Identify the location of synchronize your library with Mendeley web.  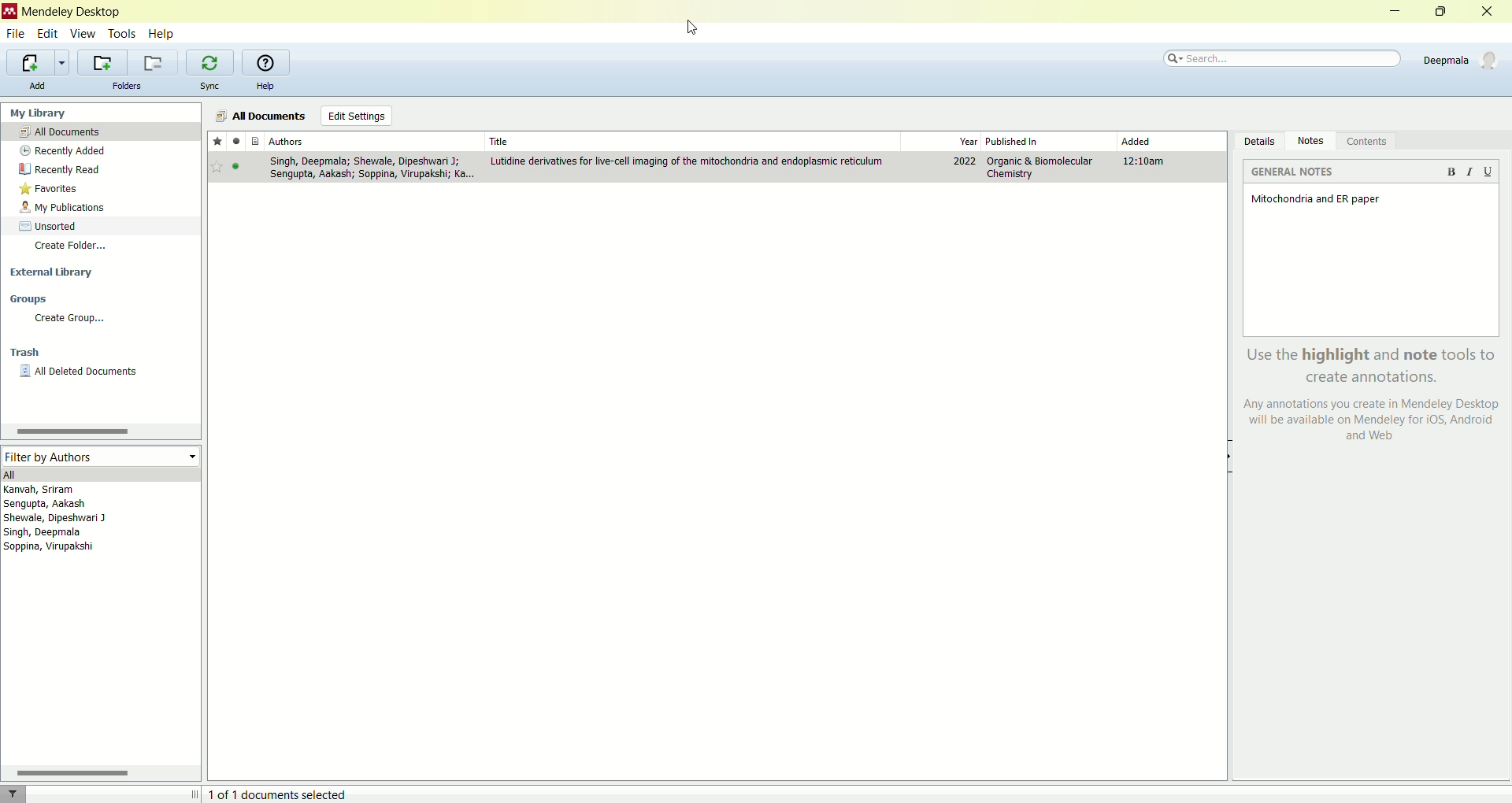
(212, 62).